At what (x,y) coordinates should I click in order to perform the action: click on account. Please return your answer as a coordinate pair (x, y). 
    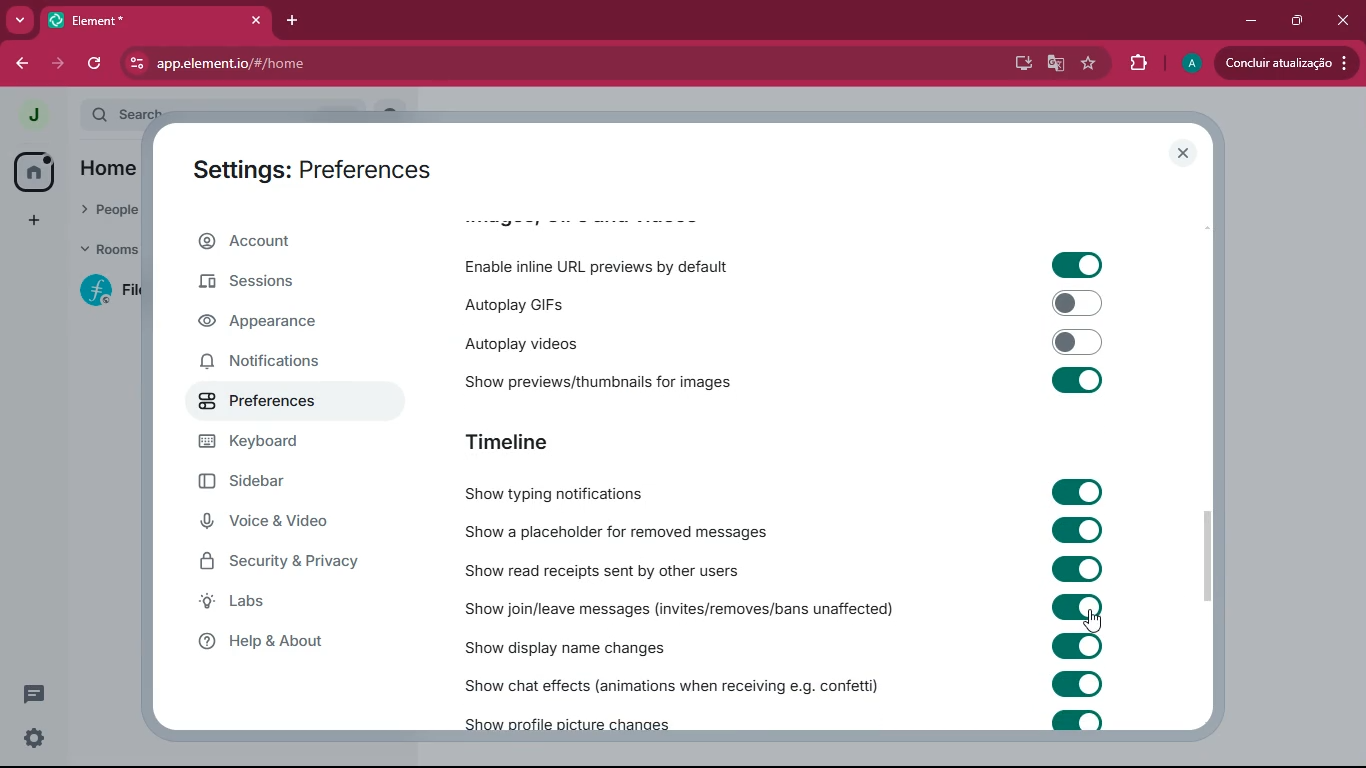
    Looking at the image, I should click on (296, 239).